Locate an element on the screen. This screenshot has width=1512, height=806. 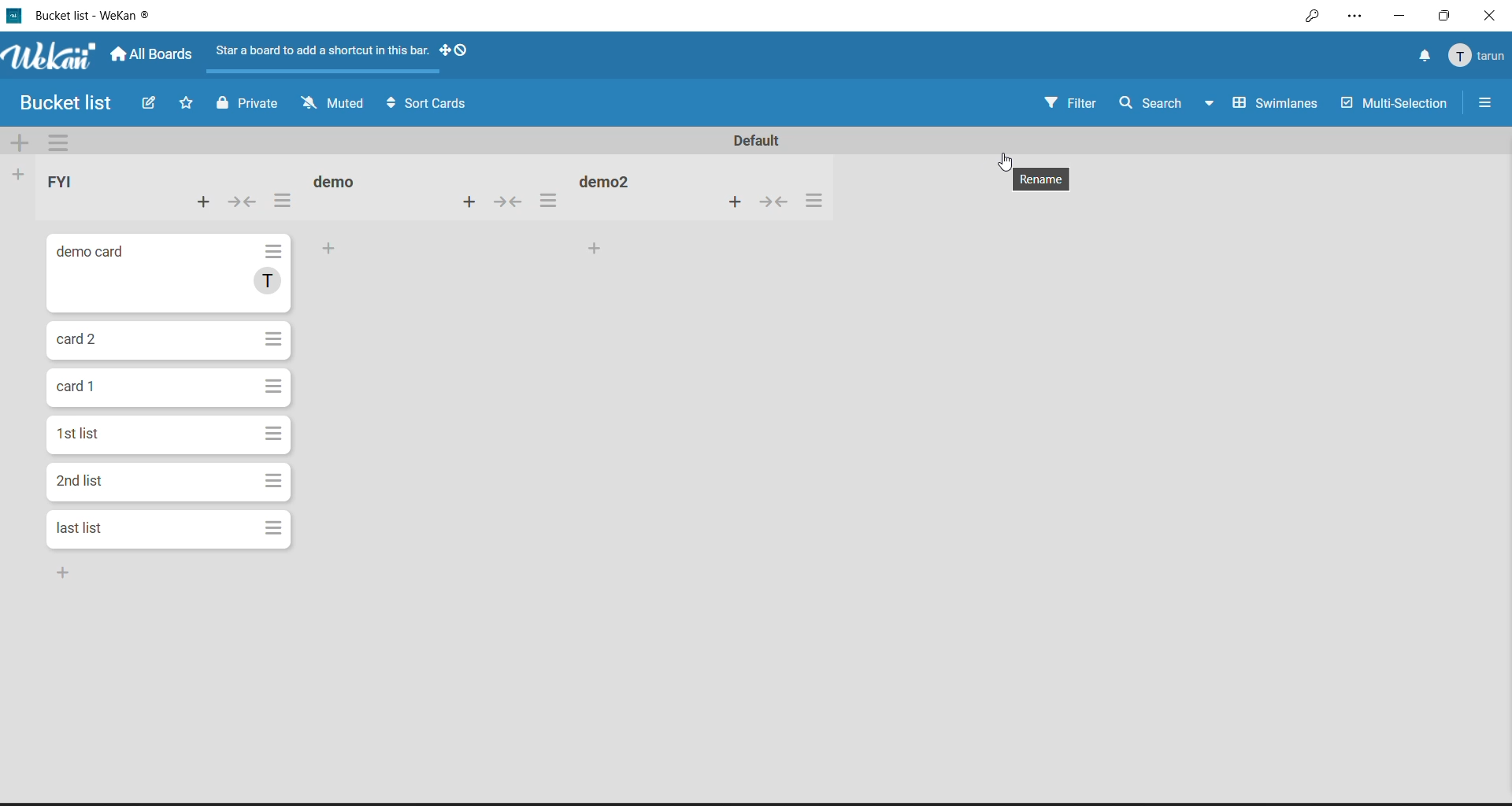
swimlane actions is located at coordinates (66, 142).